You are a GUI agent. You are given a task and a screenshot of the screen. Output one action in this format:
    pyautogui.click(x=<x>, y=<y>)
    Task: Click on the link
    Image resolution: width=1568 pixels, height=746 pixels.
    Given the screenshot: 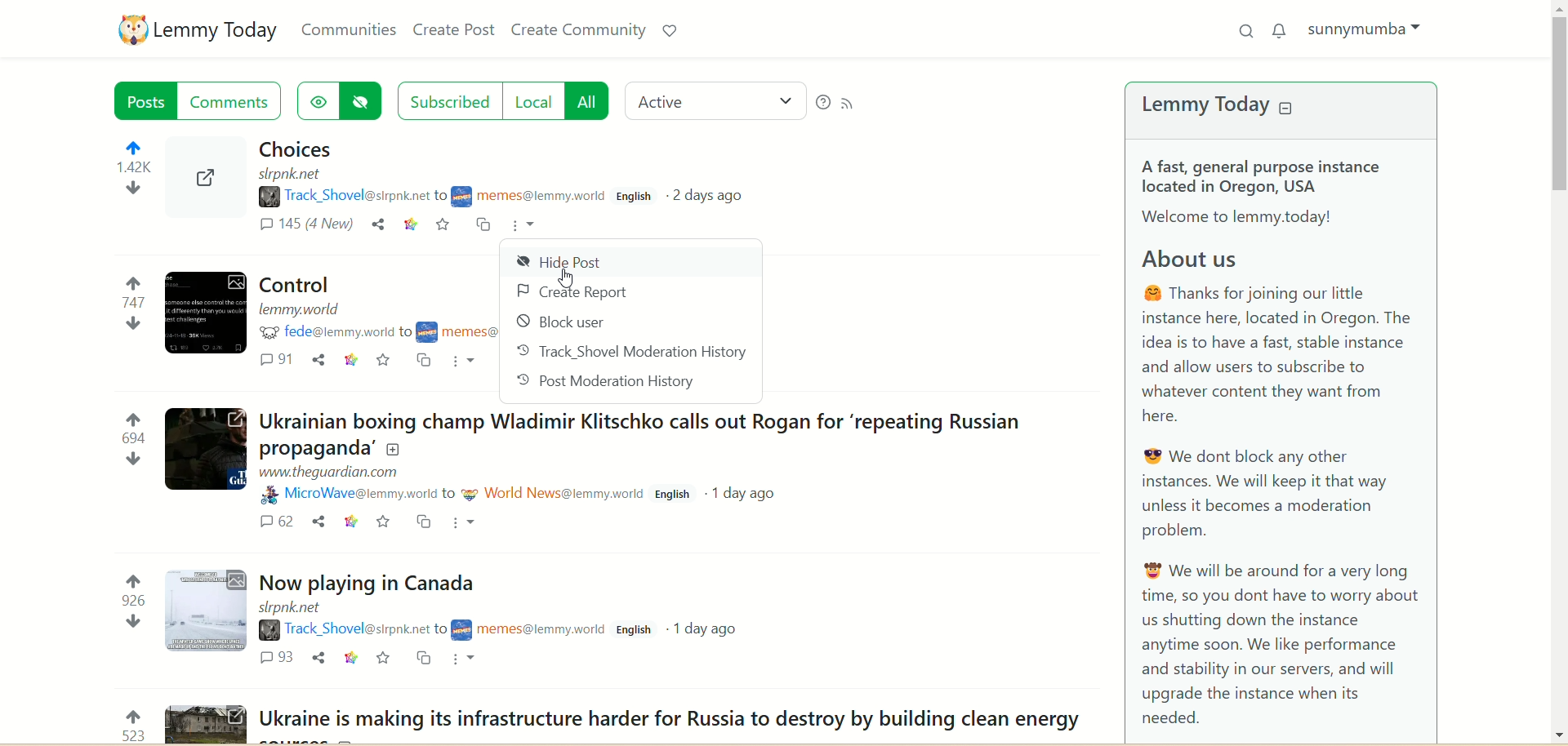 What is the action you would take?
    pyautogui.click(x=351, y=362)
    